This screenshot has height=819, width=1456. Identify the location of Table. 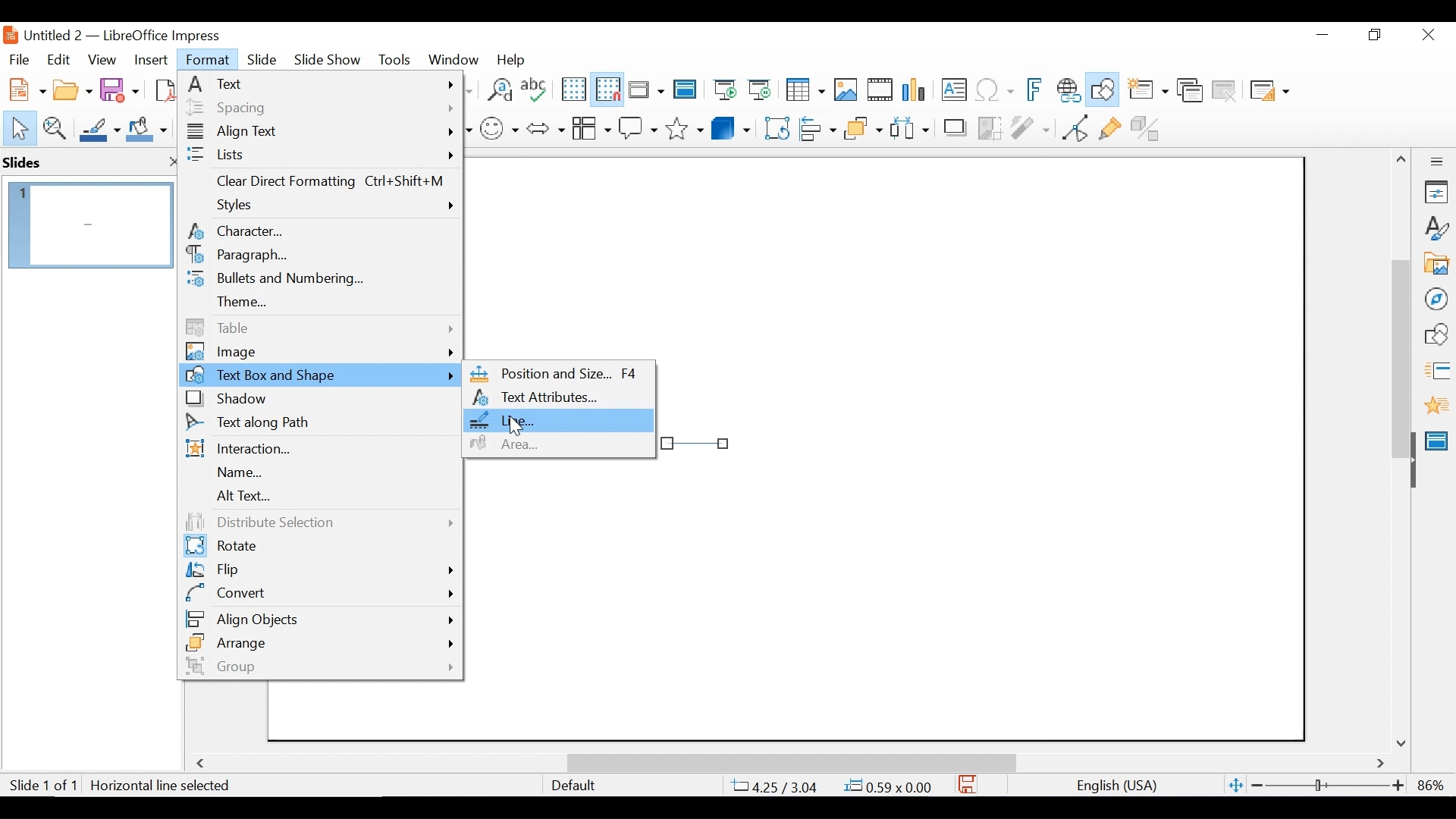
(804, 90).